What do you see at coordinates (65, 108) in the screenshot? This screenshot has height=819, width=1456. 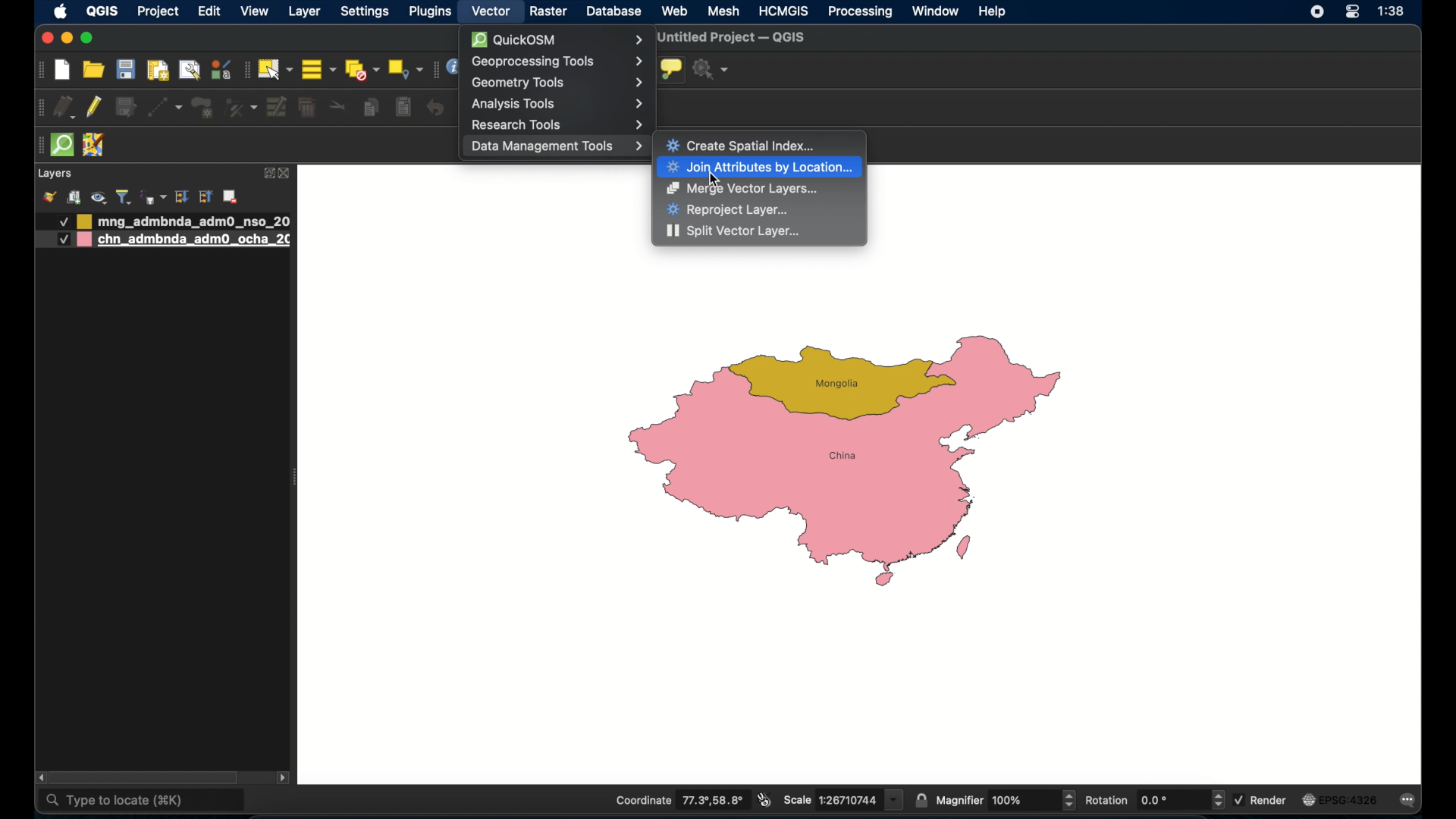 I see `current edits` at bounding box center [65, 108].